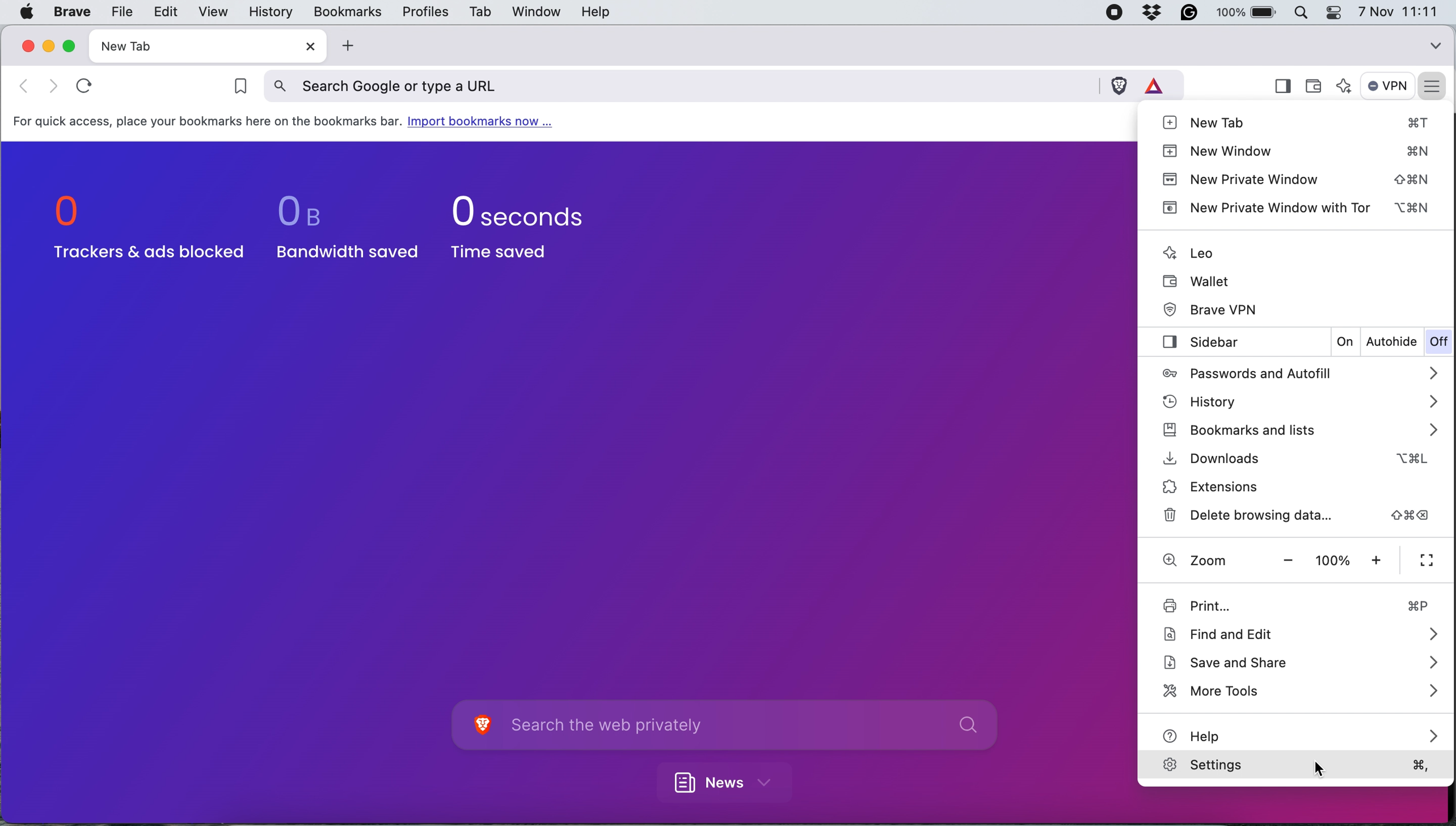 Image resolution: width=1456 pixels, height=826 pixels. Describe the element at coordinates (1298, 122) in the screenshot. I see `new tab` at that location.